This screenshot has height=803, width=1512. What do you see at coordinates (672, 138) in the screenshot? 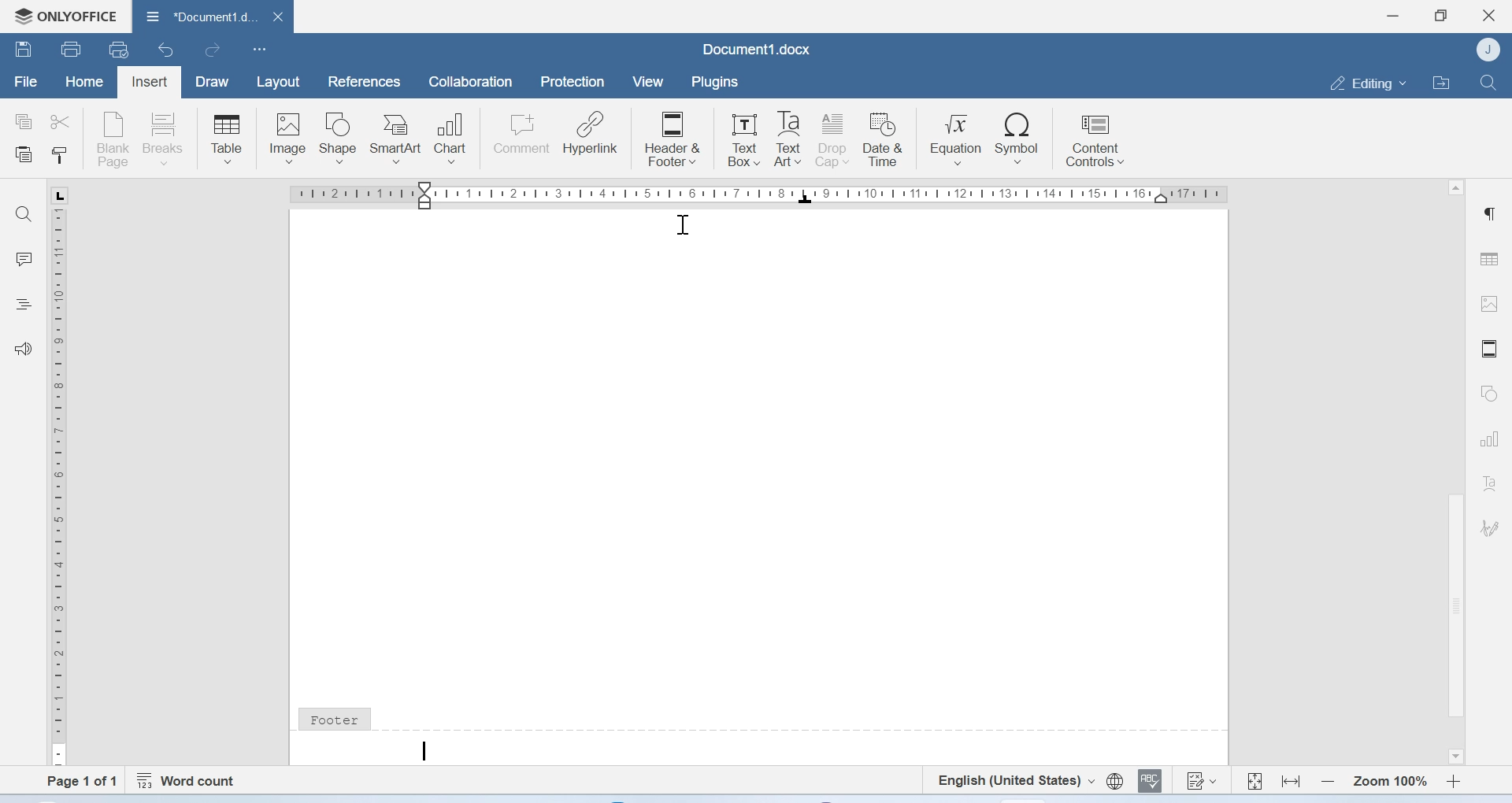
I see `Header & Footer` at bounding box center [672, 138].